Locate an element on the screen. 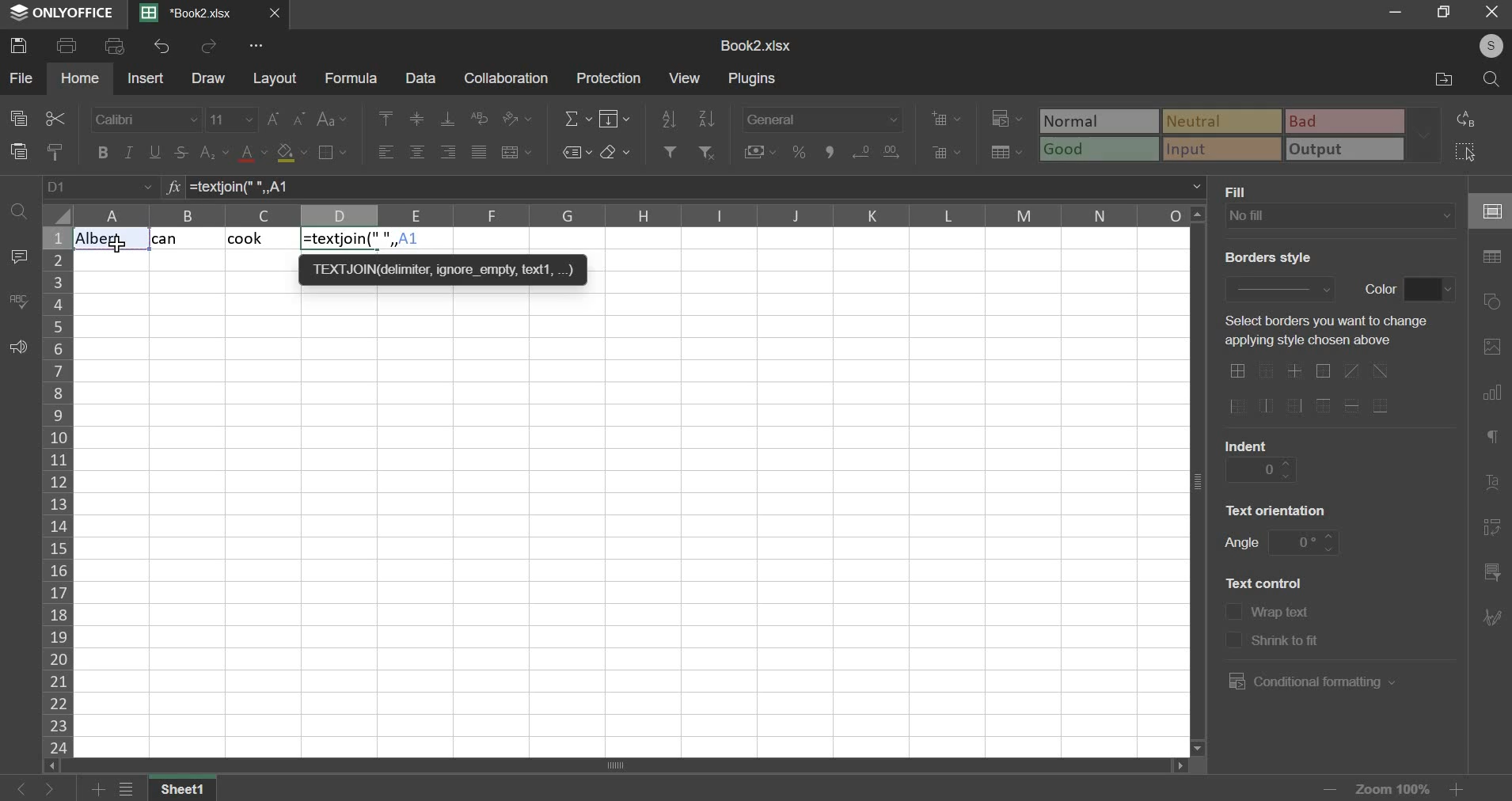  replace is located at coordinates (1471, 119).